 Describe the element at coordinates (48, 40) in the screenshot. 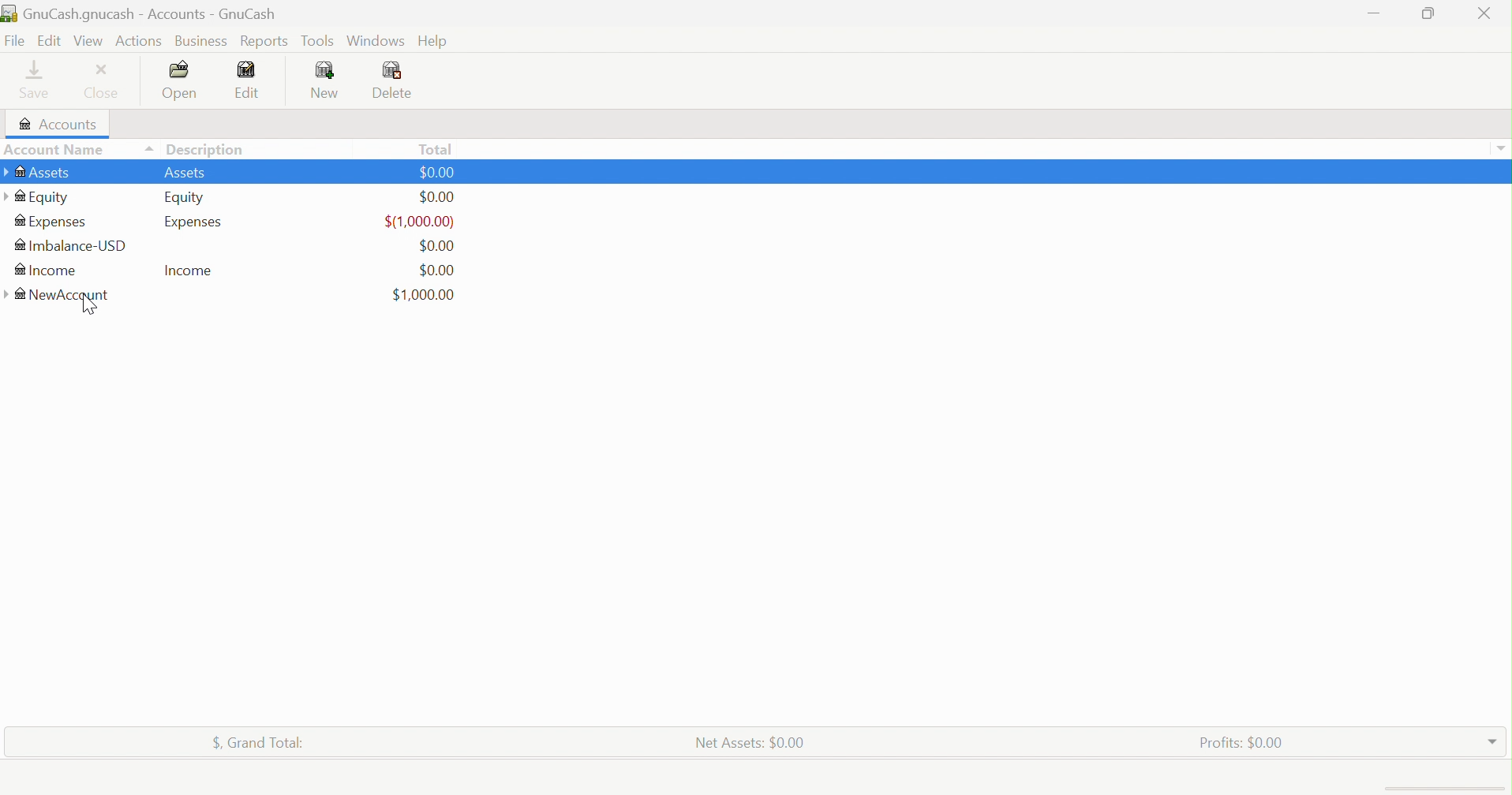

I see `Edit` at that location.